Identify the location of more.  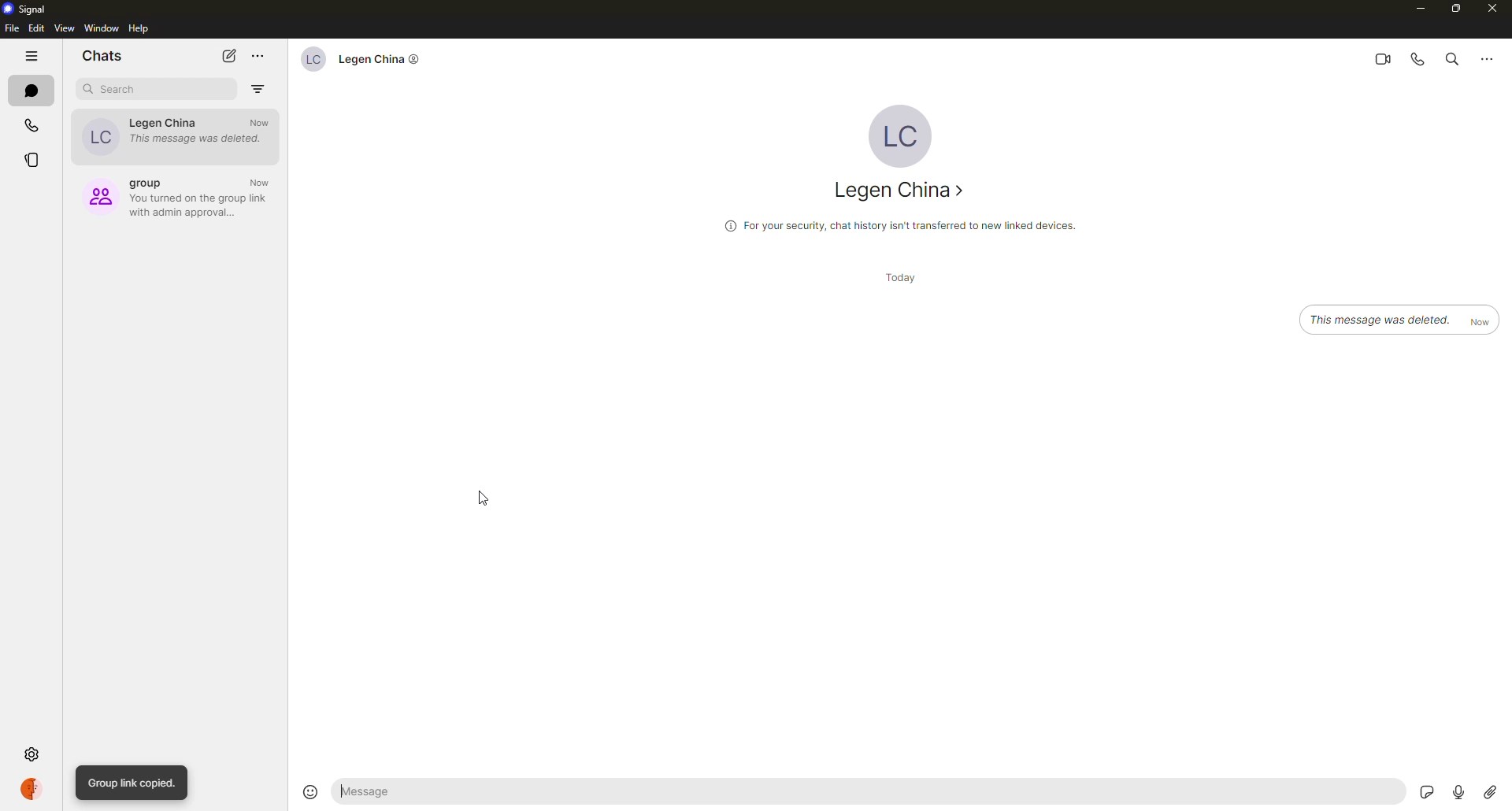
(1487, 57).